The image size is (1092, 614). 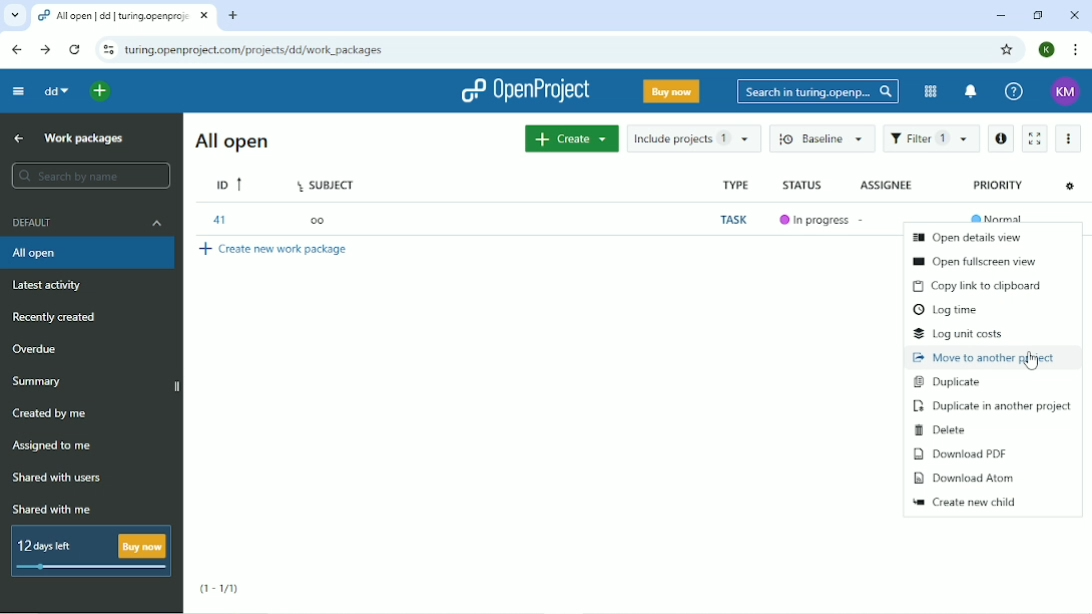 What do you see at coordinates (35, 349) in the screenshot?
I see `Overdue` at bounding box center [35, 349].